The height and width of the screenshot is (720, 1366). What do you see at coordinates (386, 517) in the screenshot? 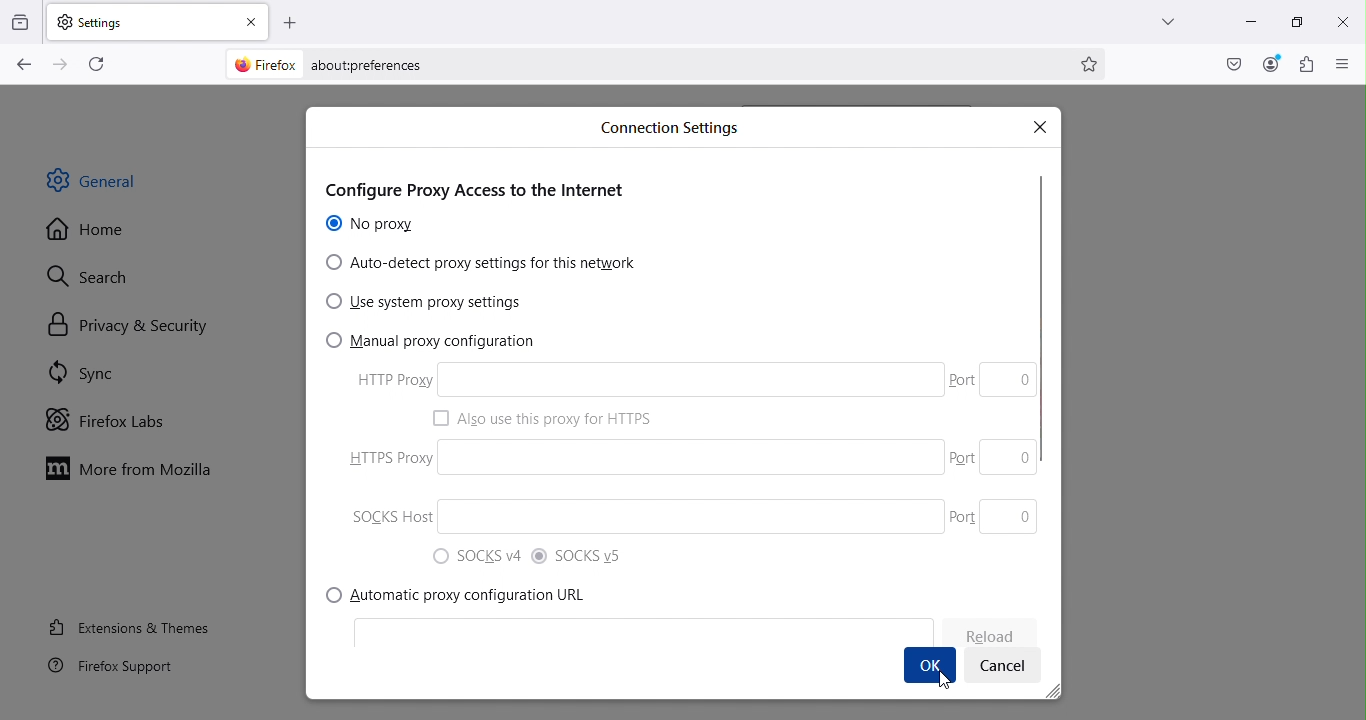
I see `SOCKS Host` at bounding box center [386, 517].